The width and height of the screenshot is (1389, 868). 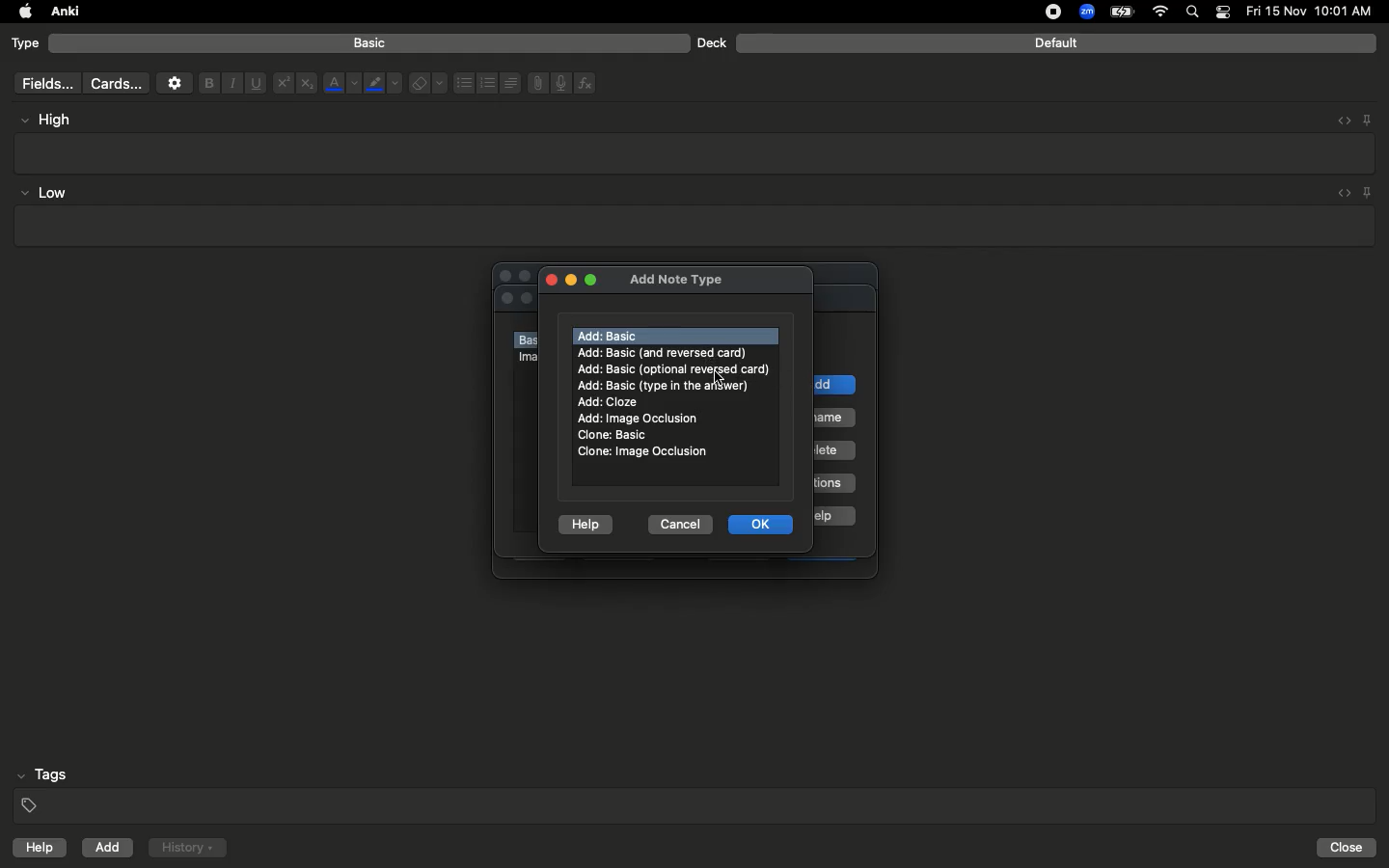 What do you see at coordinates (569, 281) in the screenshot?
I see `Minimize` at bounding box center [569, 281].